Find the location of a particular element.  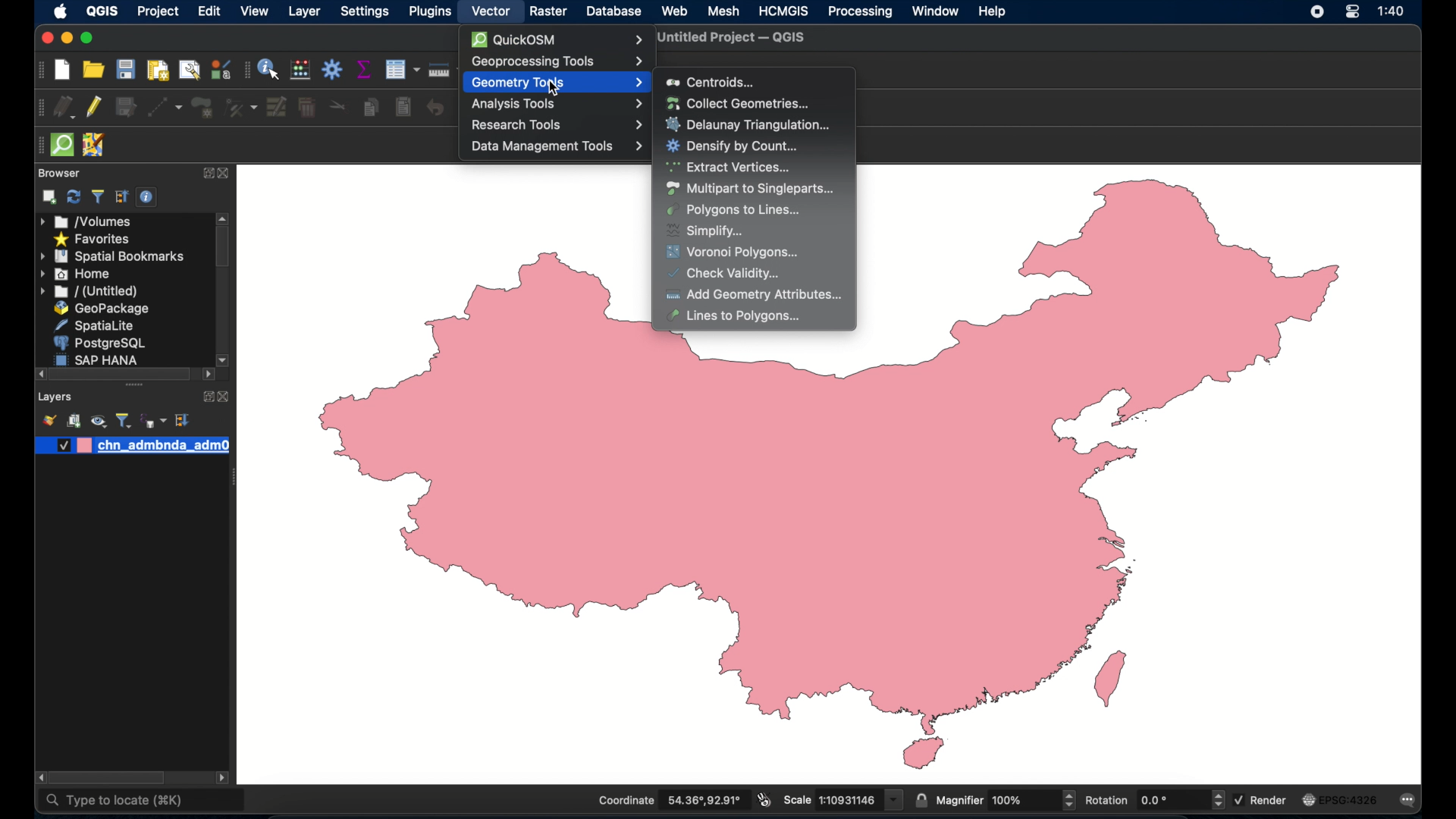

extract vertices is located at coordinates (730, 168).